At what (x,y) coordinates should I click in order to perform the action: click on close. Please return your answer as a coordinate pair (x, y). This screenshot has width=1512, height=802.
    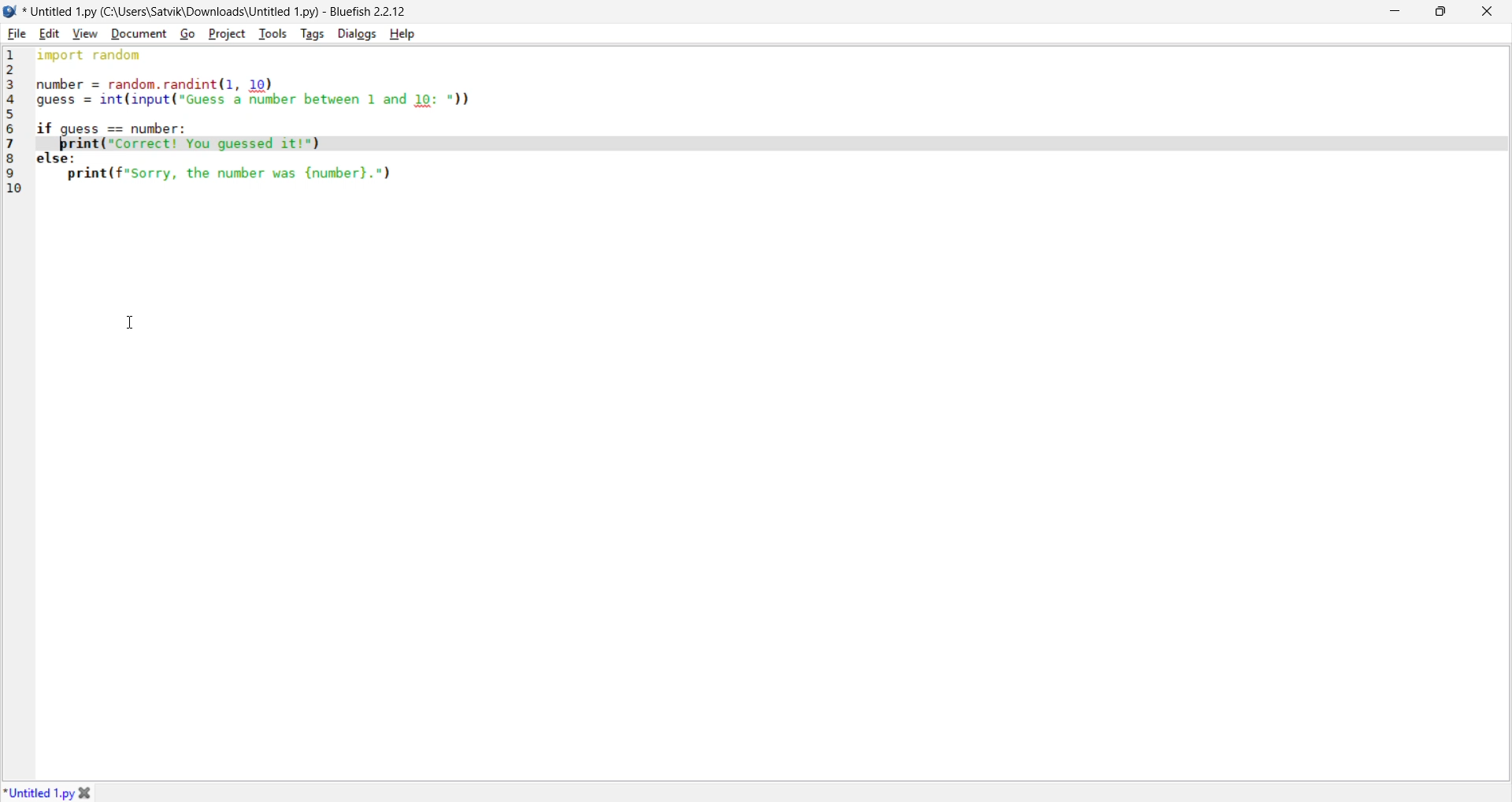
    Looking at the image, I should click on (1486, 10).